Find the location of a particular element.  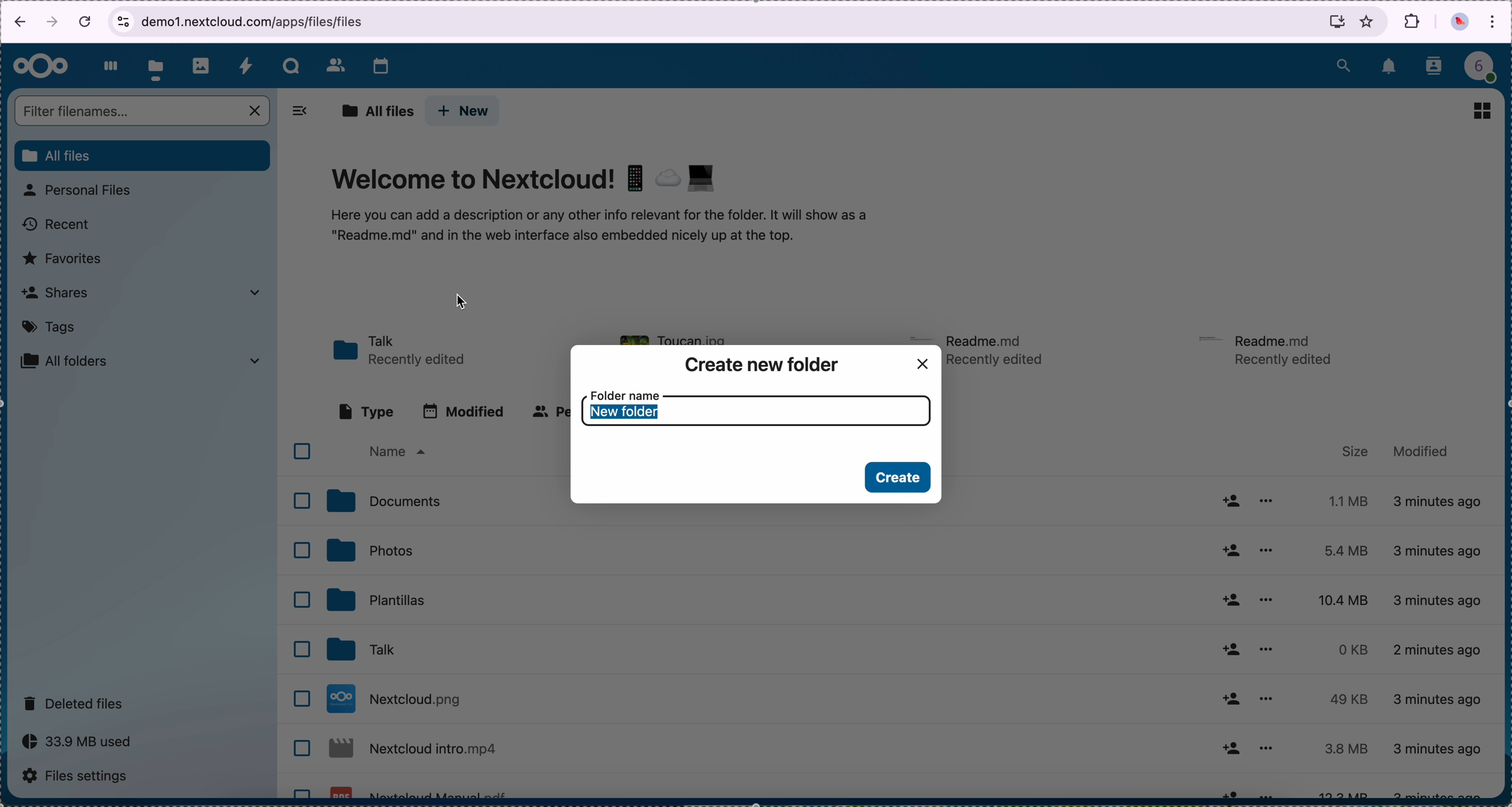

4 minutes ago is located at coordinates (1439, 748).